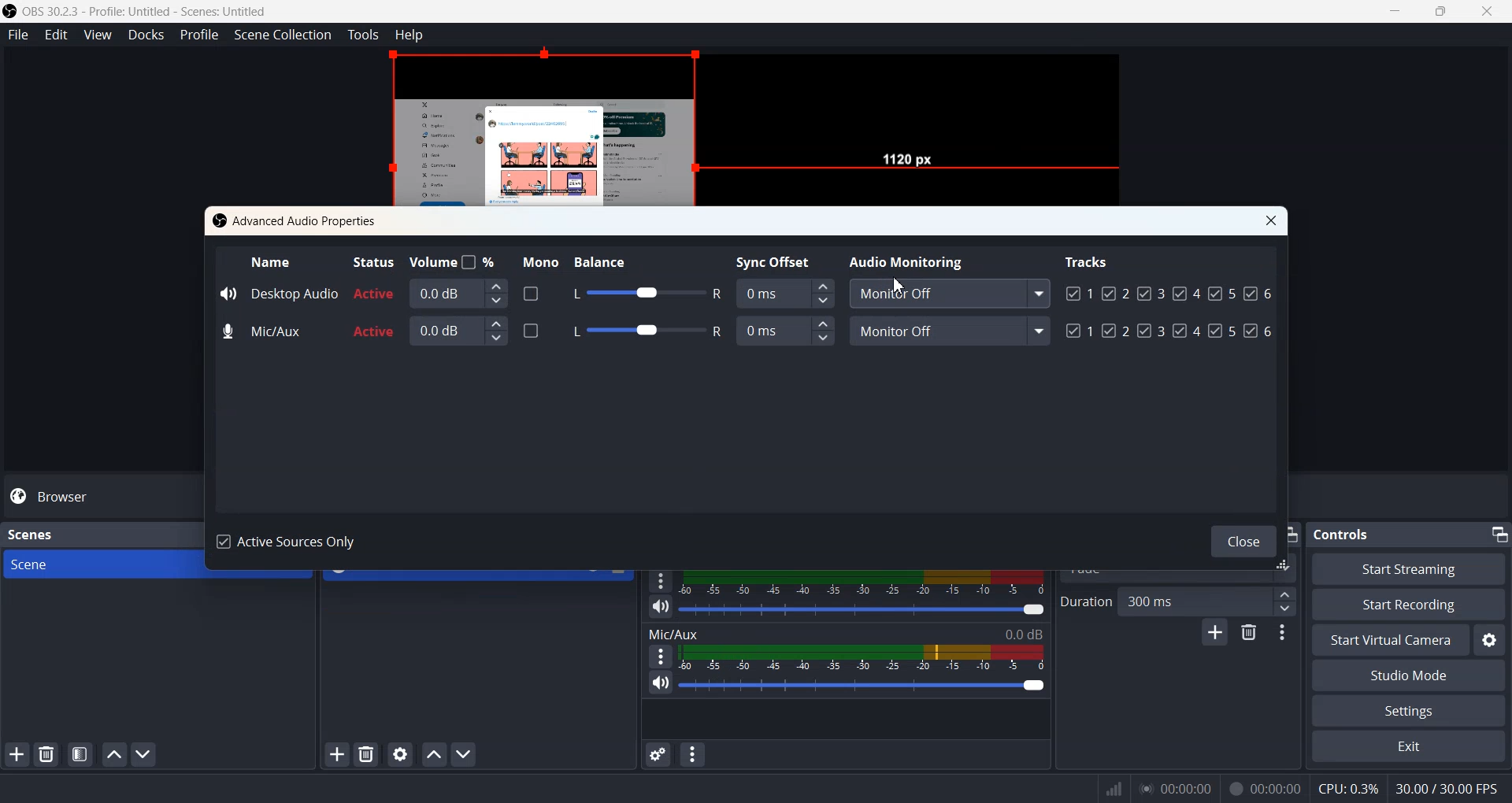 Image resolution: width=1512 pixels, height=803 pixels. Describe the element at coordinates (1266, 786) in the screenshot. I see `00:00:00` at that location.